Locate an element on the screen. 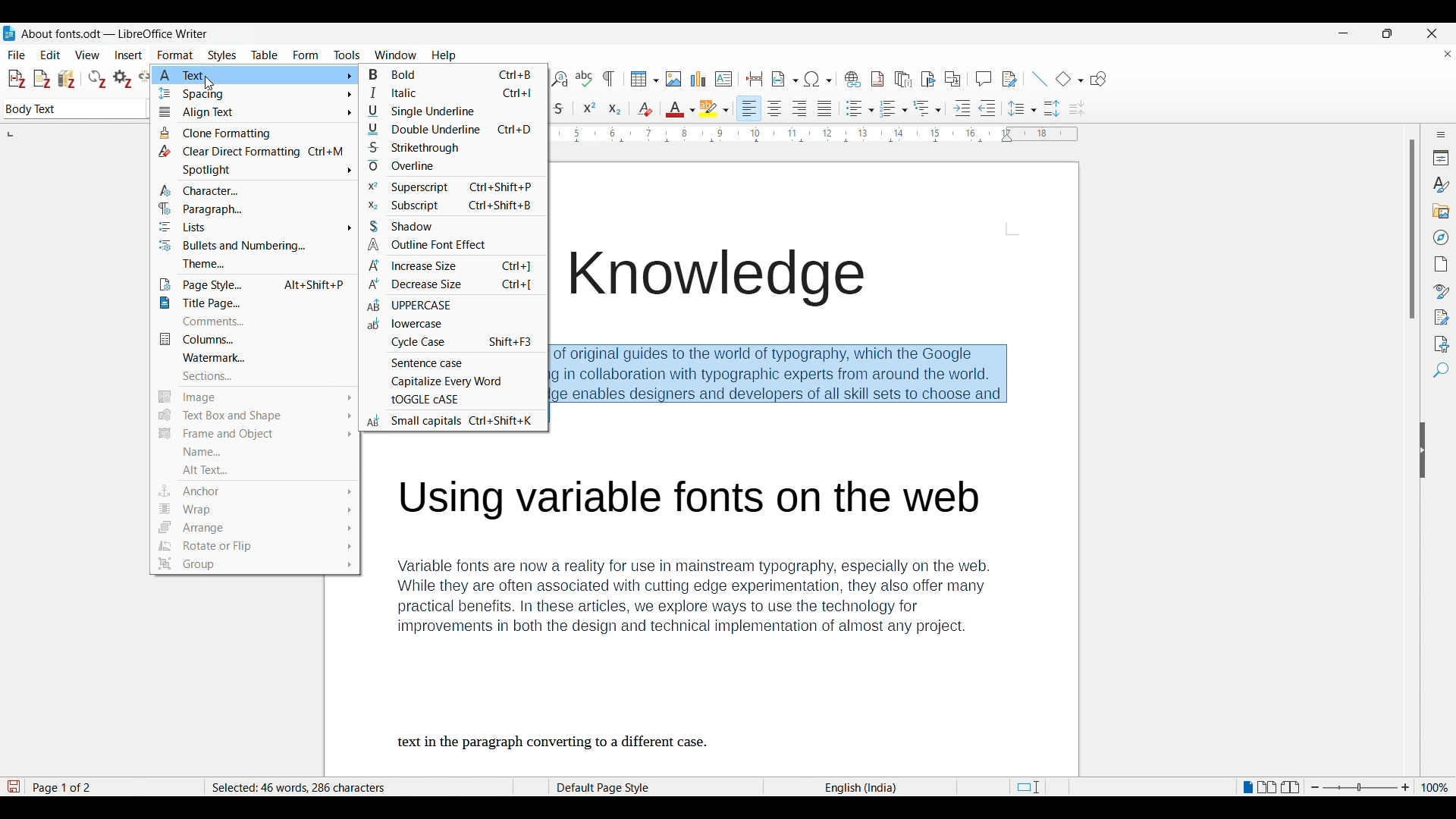 The image size is (1456, 819). character is located at coordinates (240, 191).